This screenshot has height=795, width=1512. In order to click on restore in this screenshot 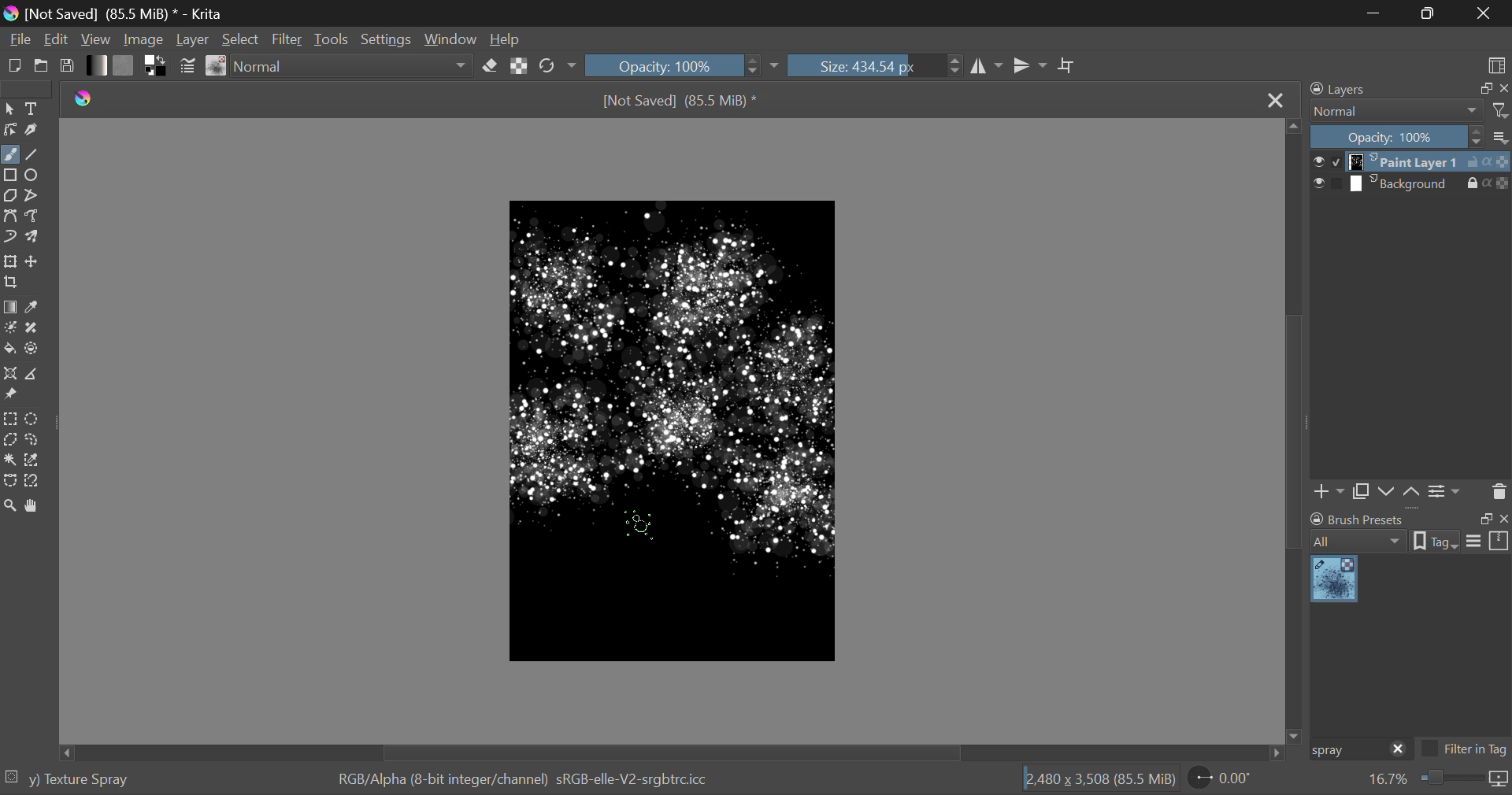, I will do `click(1483, 519)`.